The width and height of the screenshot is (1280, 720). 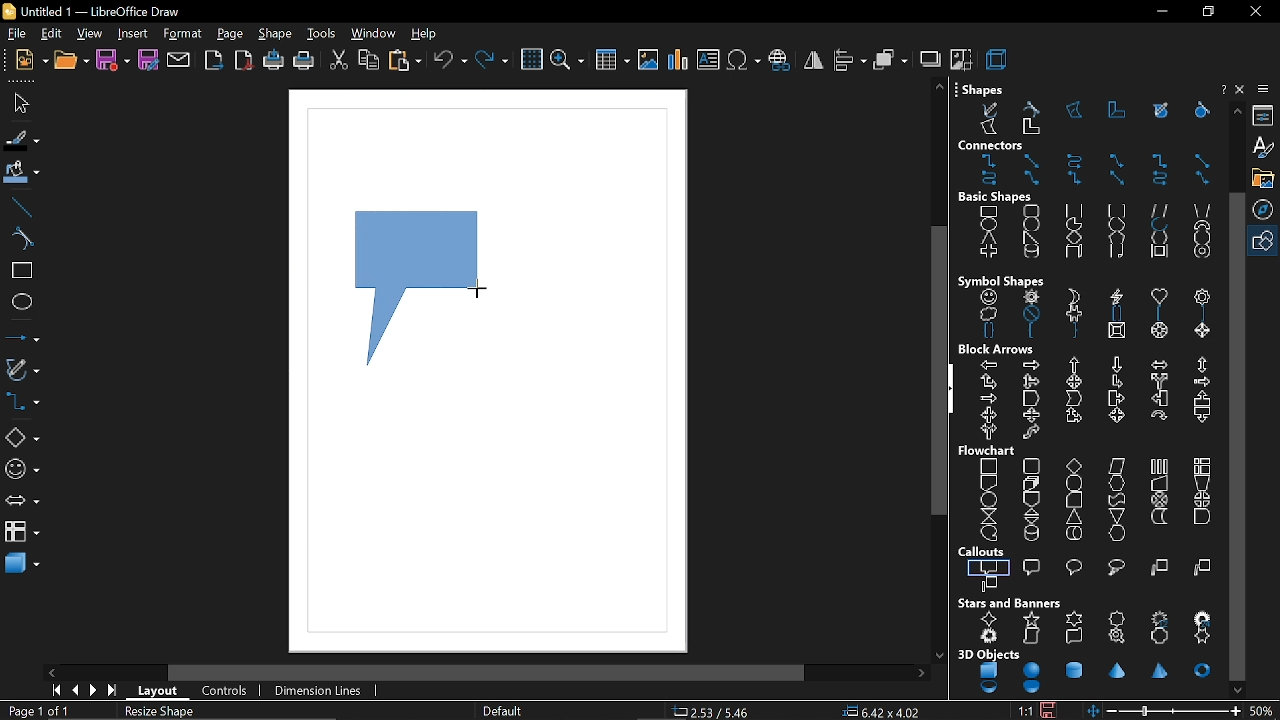 I want to click on polygon filled, so click(x=989, y=128).